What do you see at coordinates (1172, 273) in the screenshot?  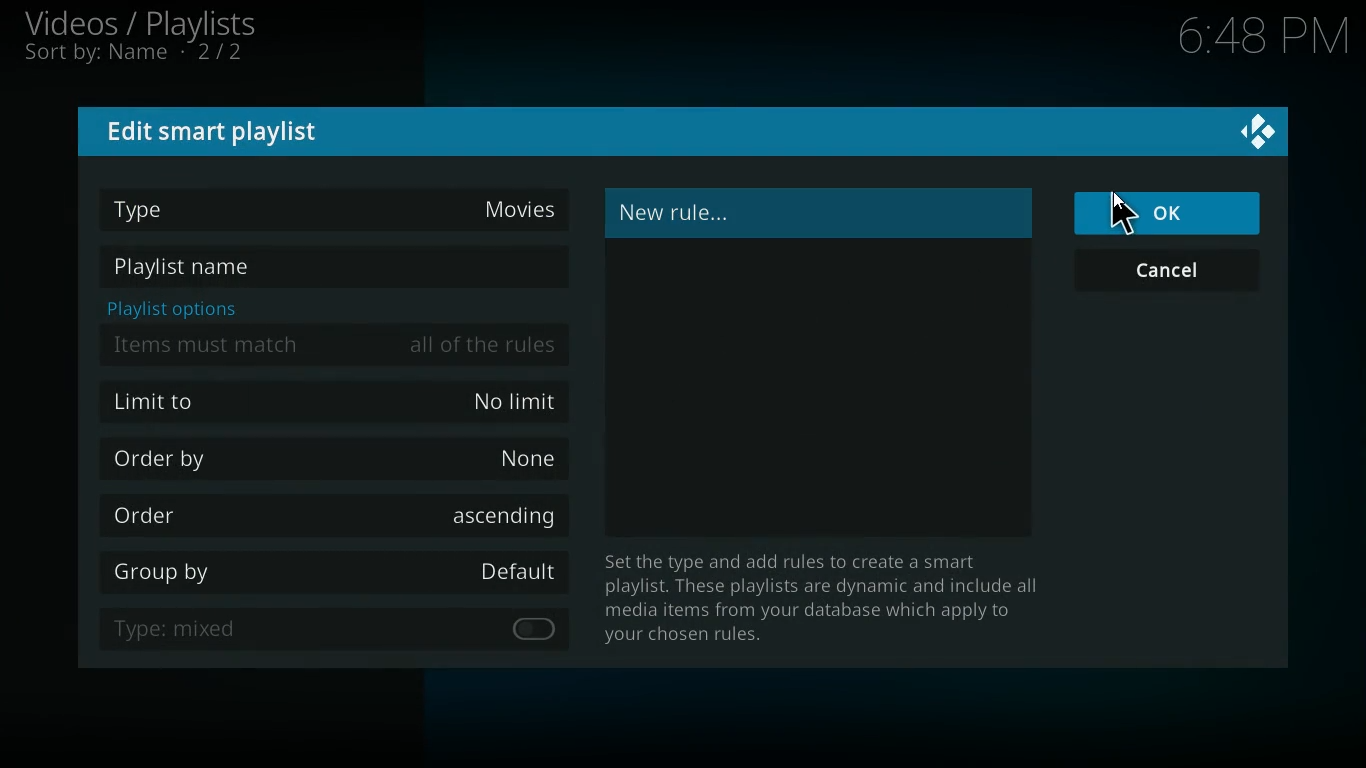 I see `cancel` at bounding box center [1172, 273].